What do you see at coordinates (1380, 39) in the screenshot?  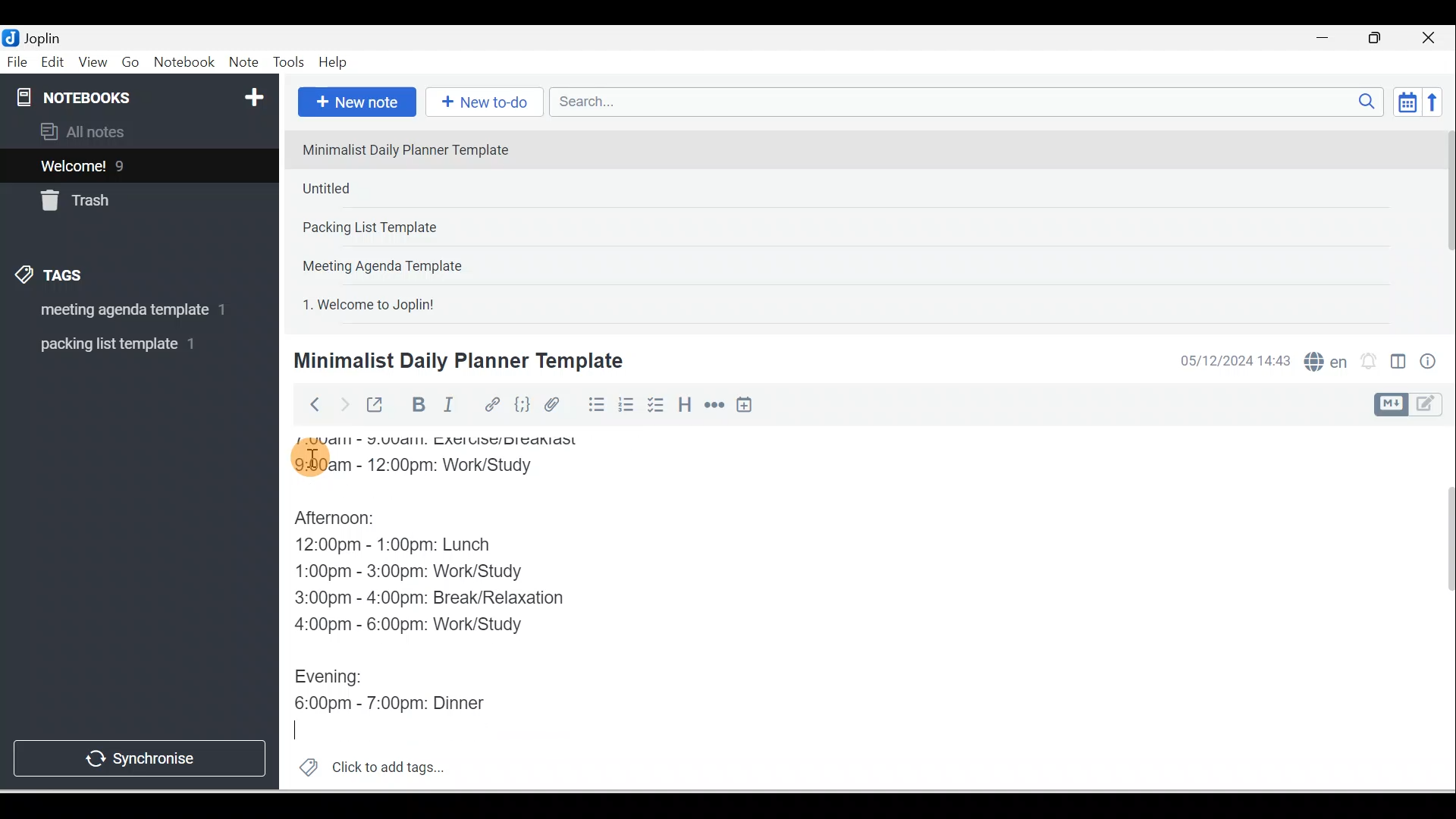 I see `Maximise` at bounding box center [1380, 39].